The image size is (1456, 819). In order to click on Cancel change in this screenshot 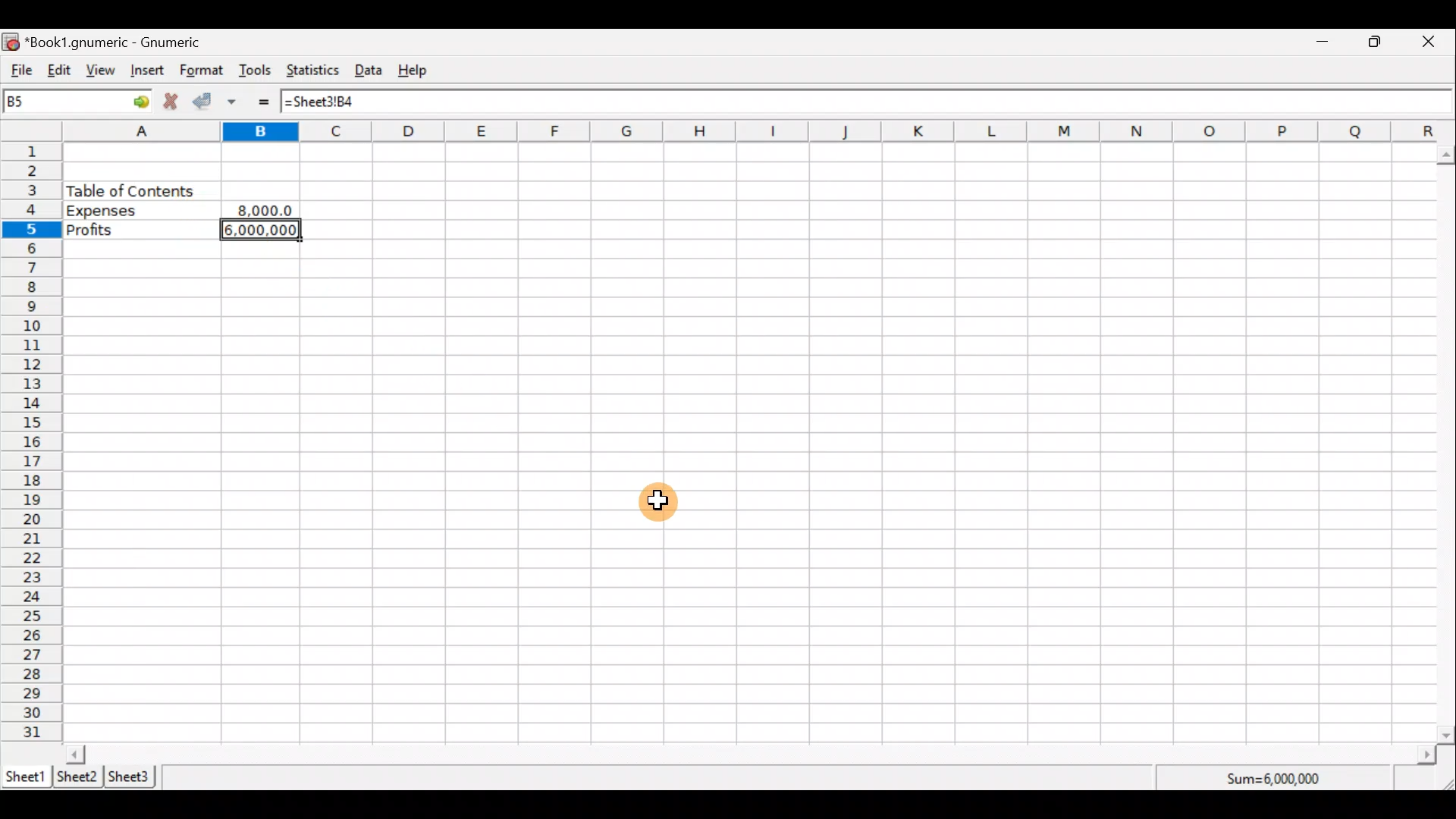, I will do `click(174, 103)`.